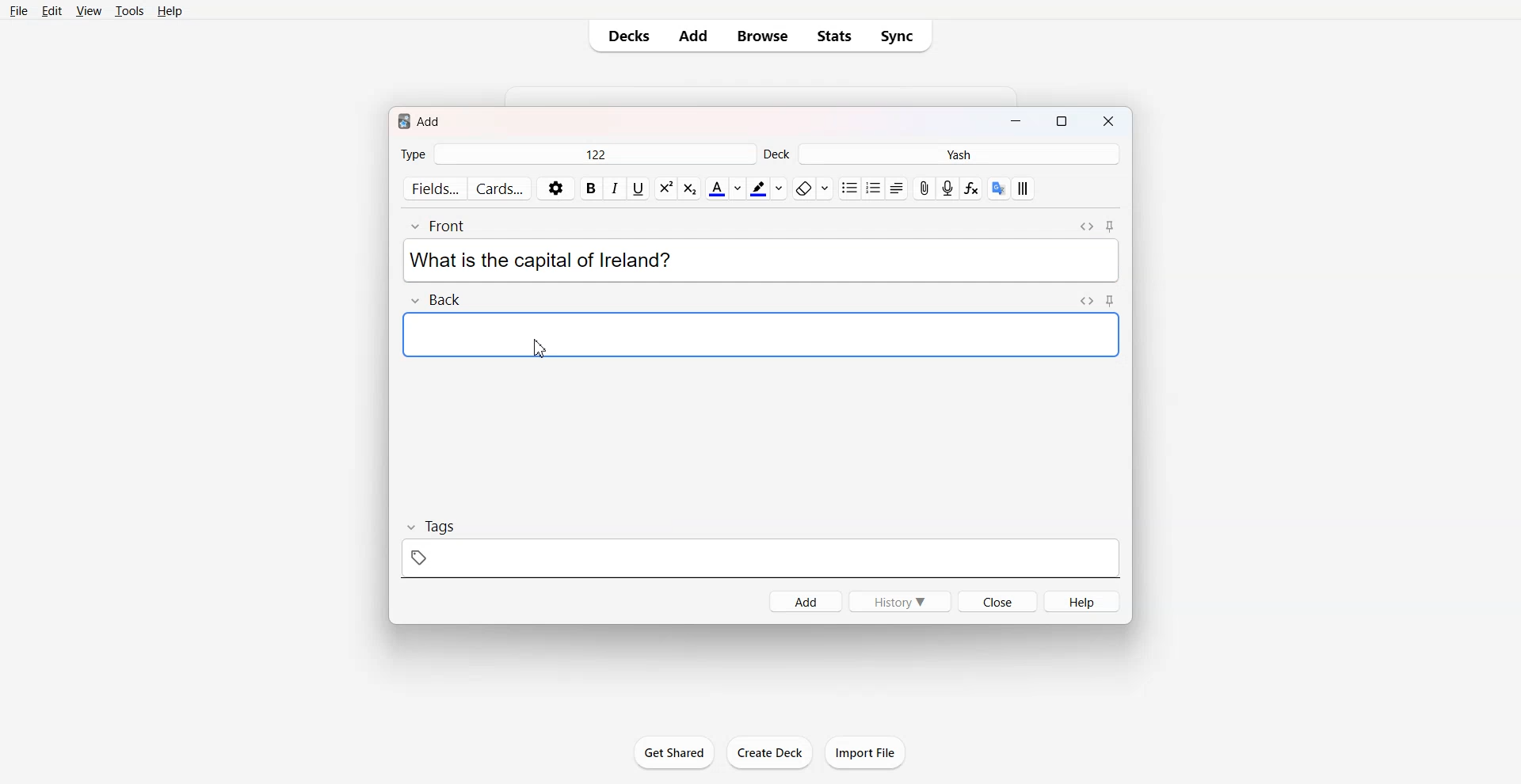 The height and width of the screenshot is (784, 1521). What do you see at coordinates (1082, 601) in the screenshot?
I see `Help` at bounding box center [1082, 601].